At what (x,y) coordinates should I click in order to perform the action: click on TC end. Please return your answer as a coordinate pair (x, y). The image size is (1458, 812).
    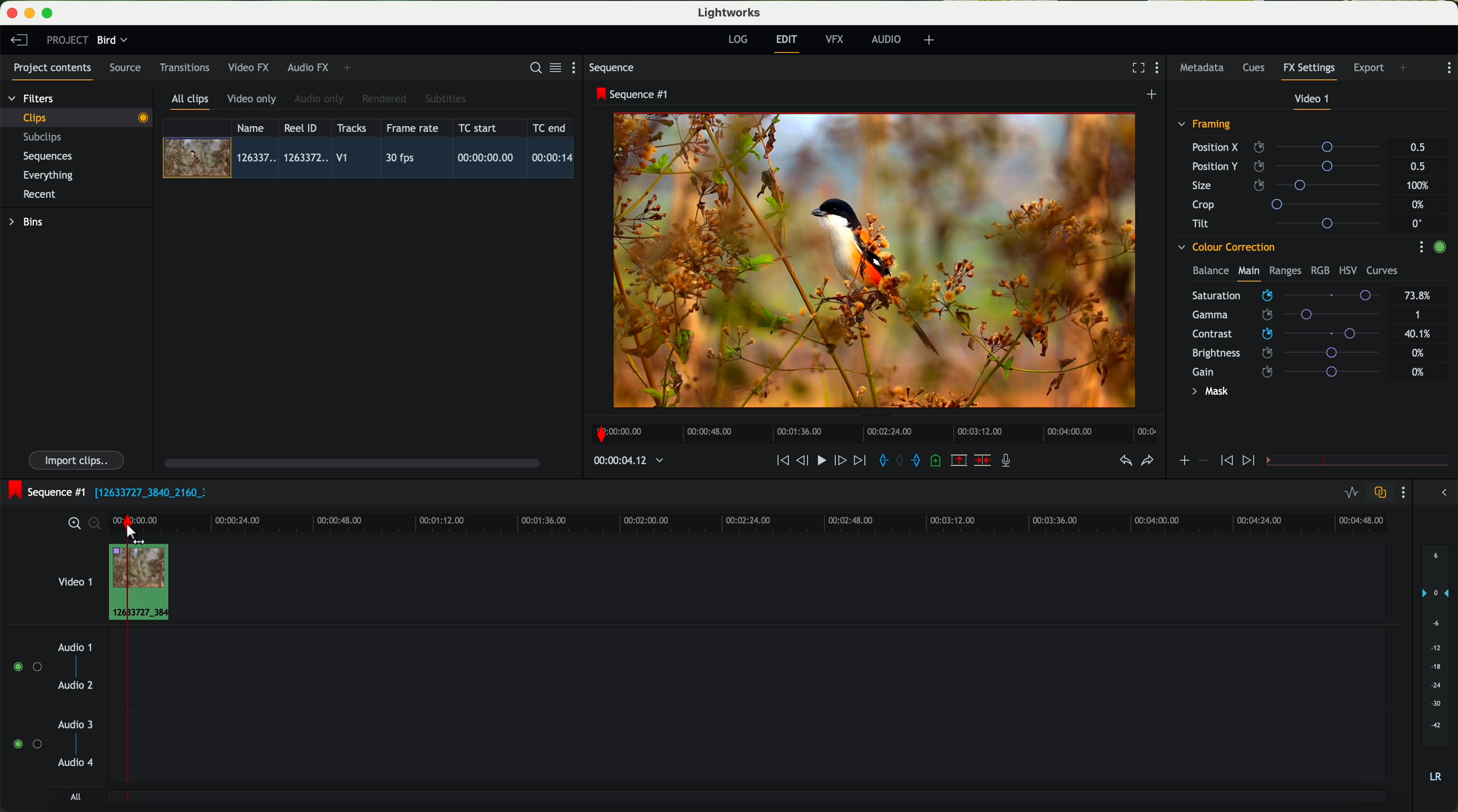
    Looking at the image, I should click on (550, 127).